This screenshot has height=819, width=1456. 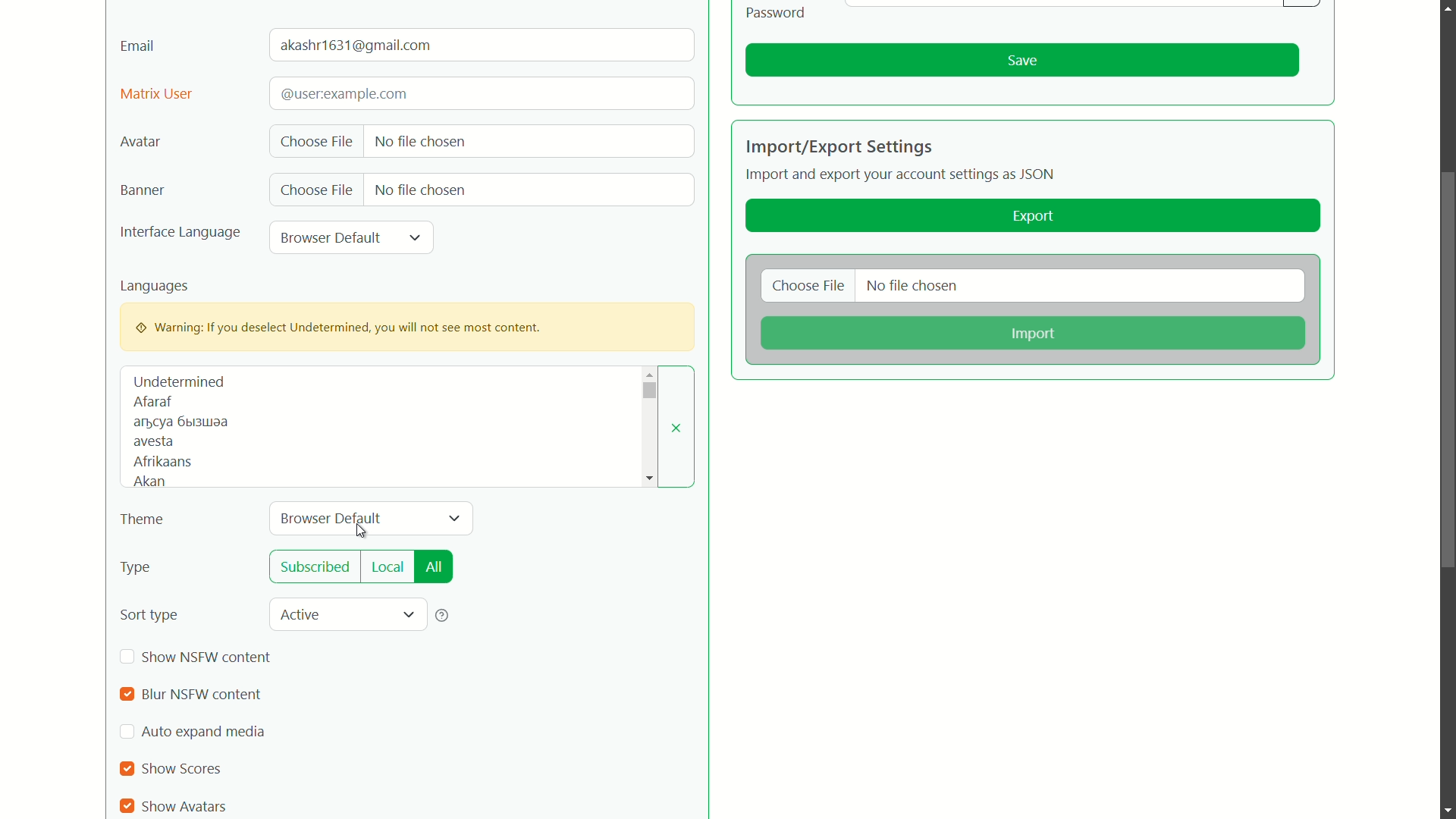 What do you see at coordinates (184, 805) in the screenshot?
I see `show avatars` at bounding box center [184, 805].